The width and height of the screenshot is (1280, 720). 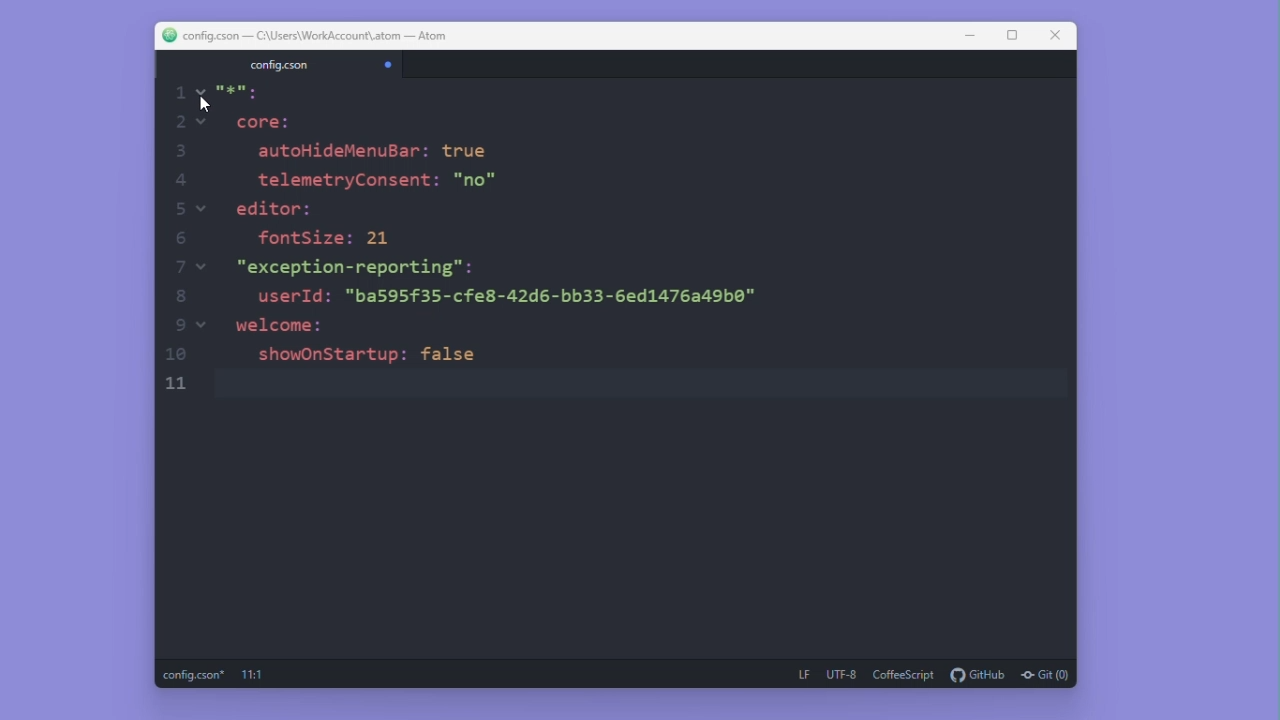 What do you see at coordinates (281, 64) in the screenshot?
I see `config.cson` at bounding box center [281, 64].